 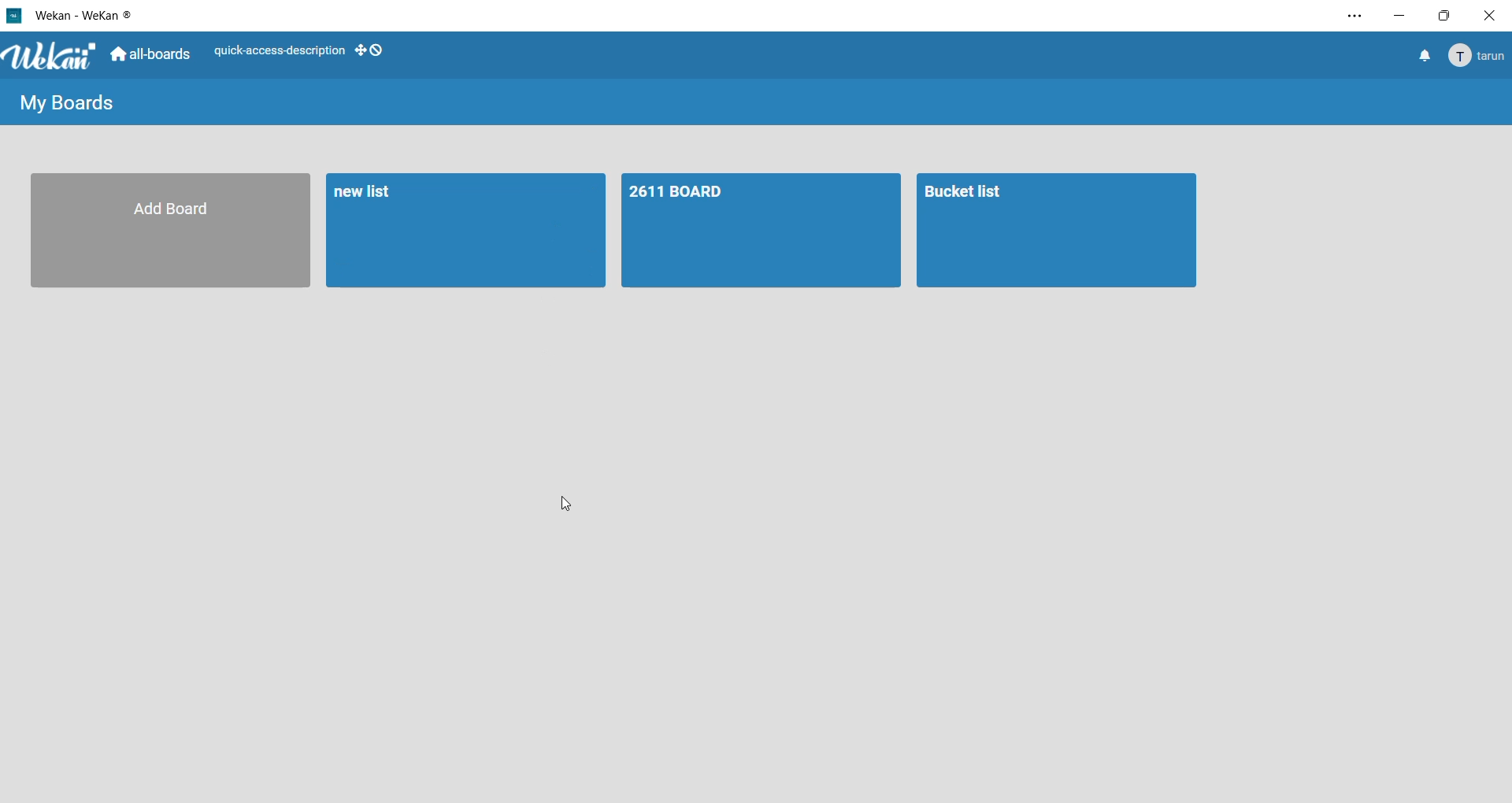 I want to click on profile, so click(x=1479, y=57).